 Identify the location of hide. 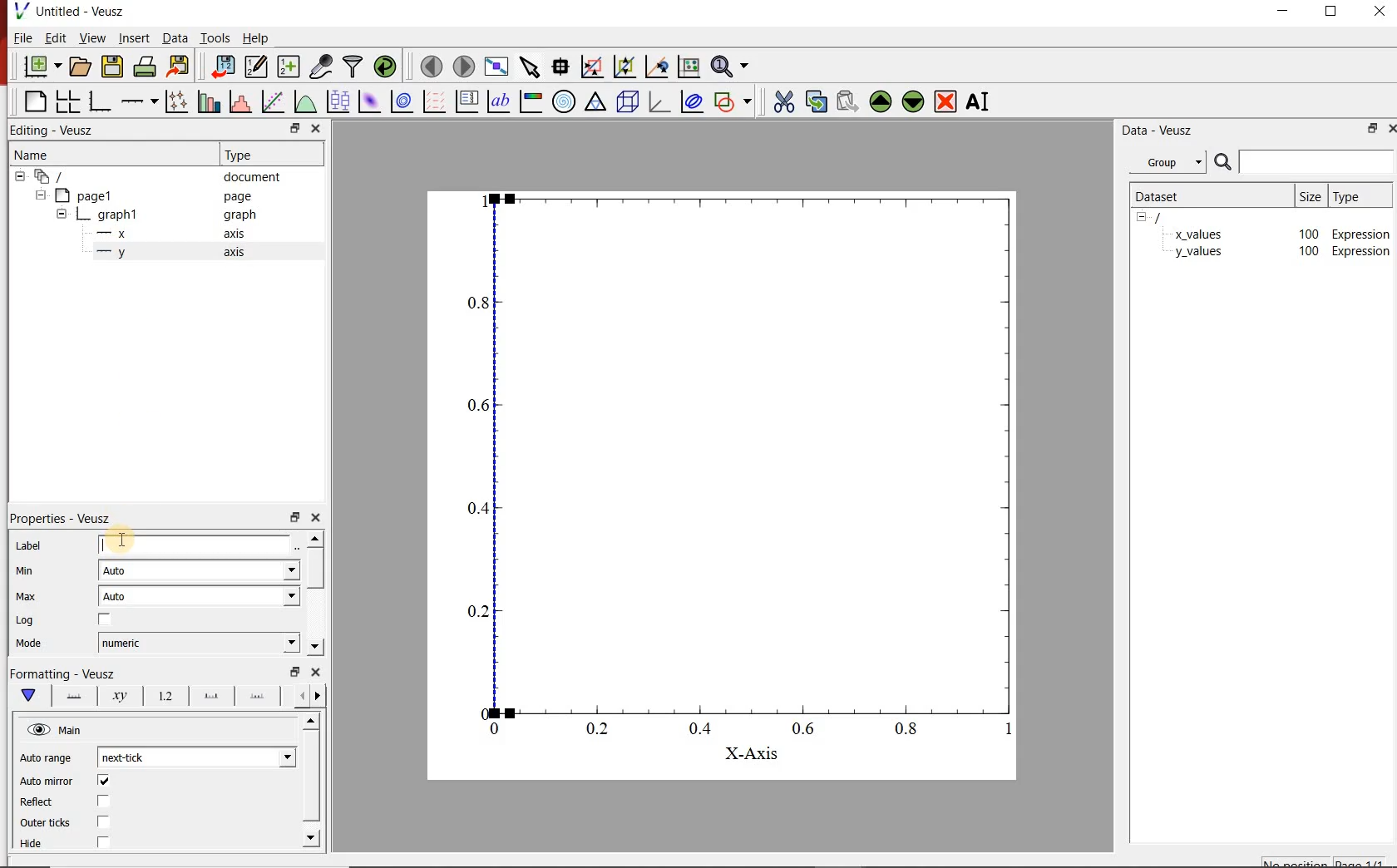
(62, 213).